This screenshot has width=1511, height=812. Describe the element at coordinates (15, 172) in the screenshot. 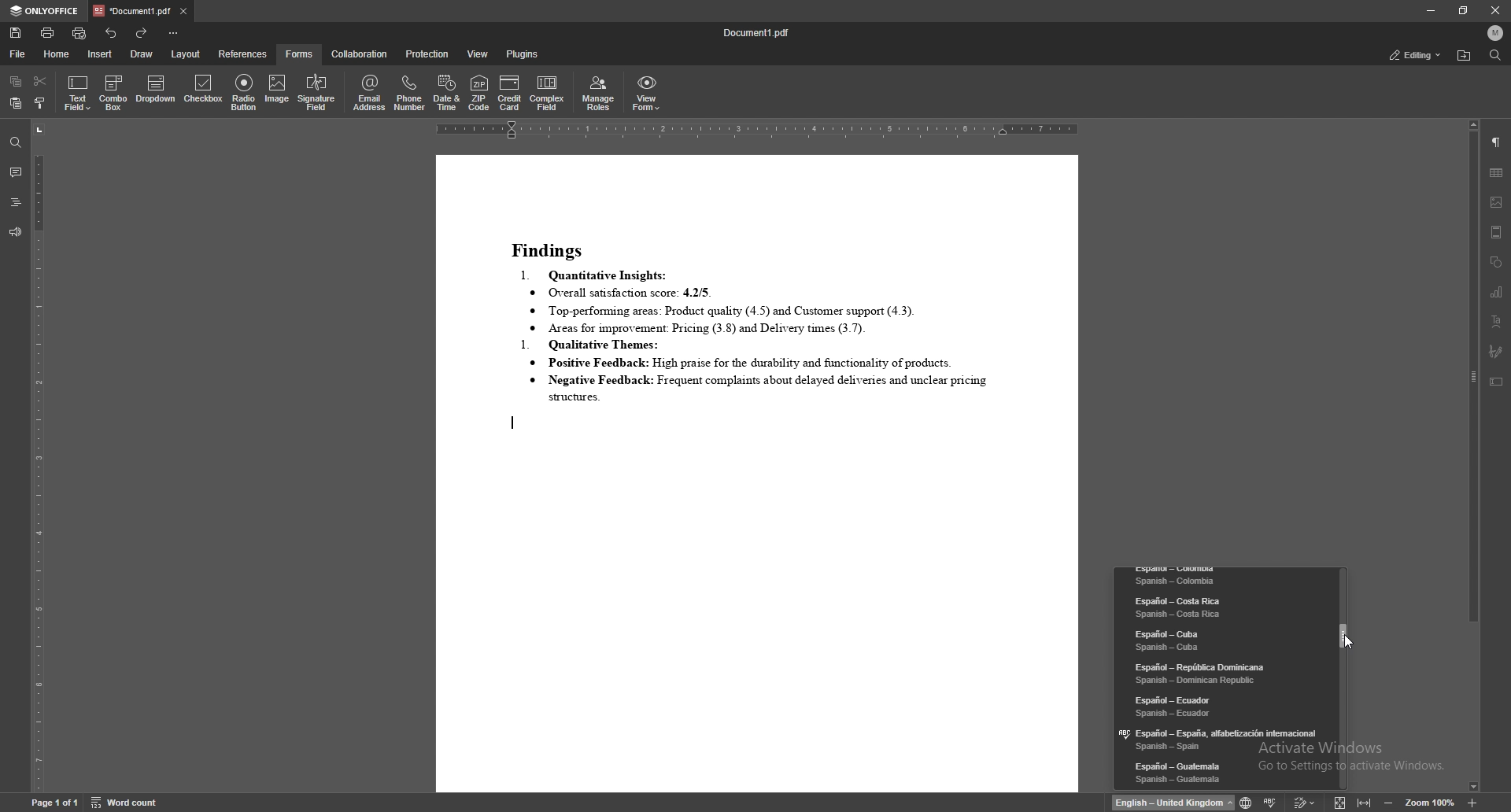

I see `comment` at that location.